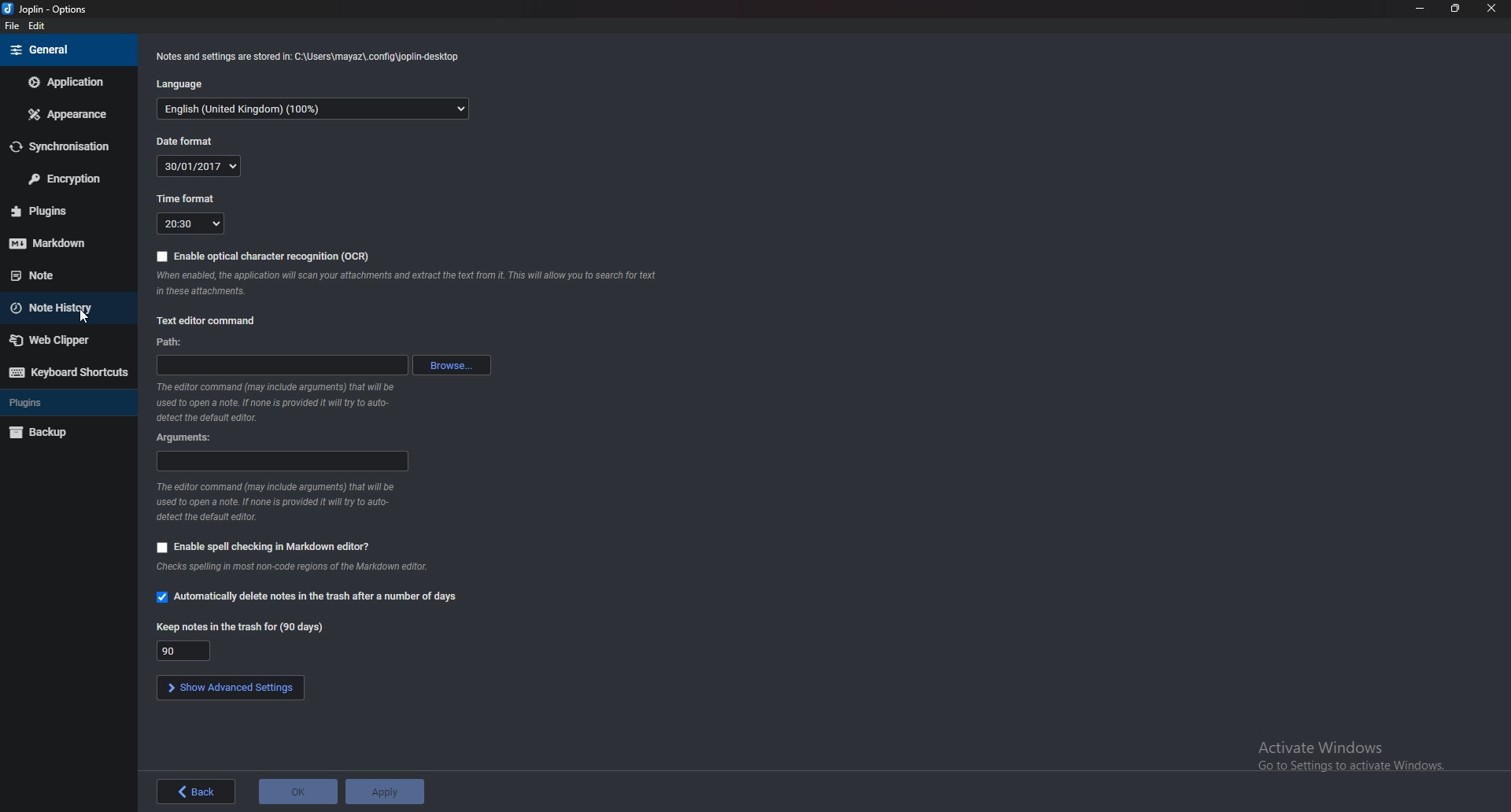 The image size is (1511, 812). Describe the element at coordinates (314, 110) in the screenshot. I see `Language` at that location.